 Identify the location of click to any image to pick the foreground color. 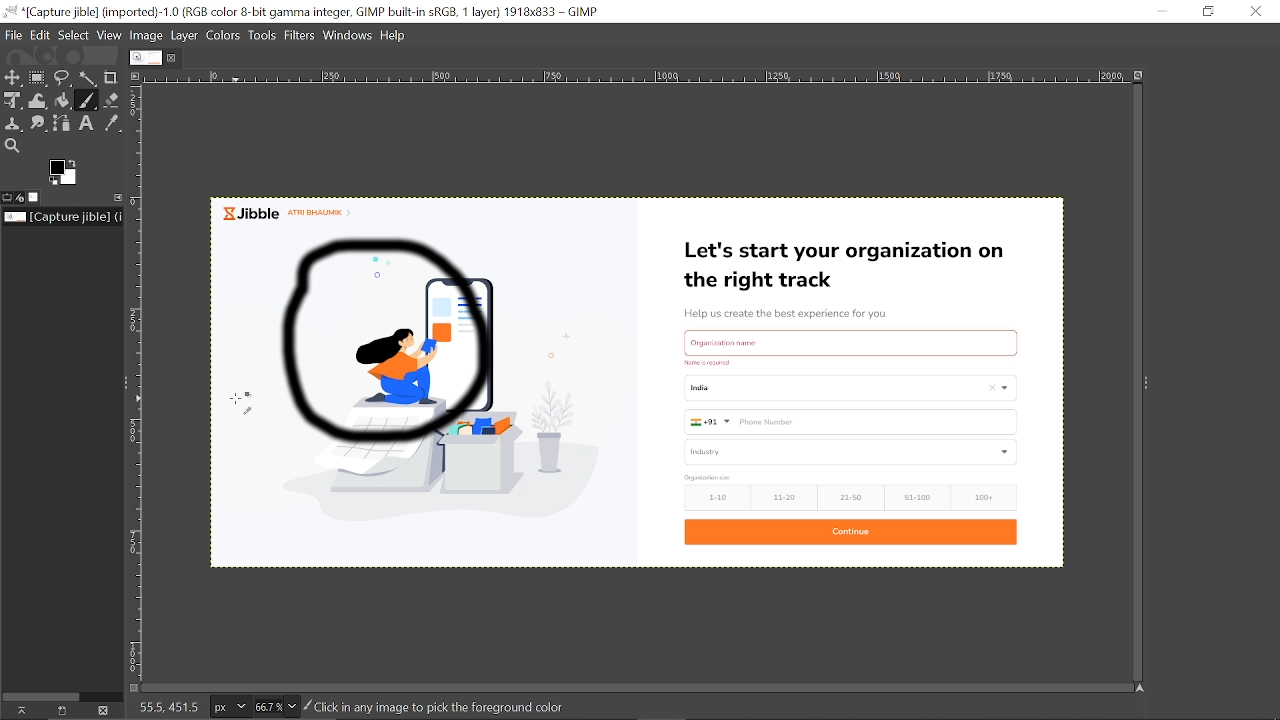
(440, 707).